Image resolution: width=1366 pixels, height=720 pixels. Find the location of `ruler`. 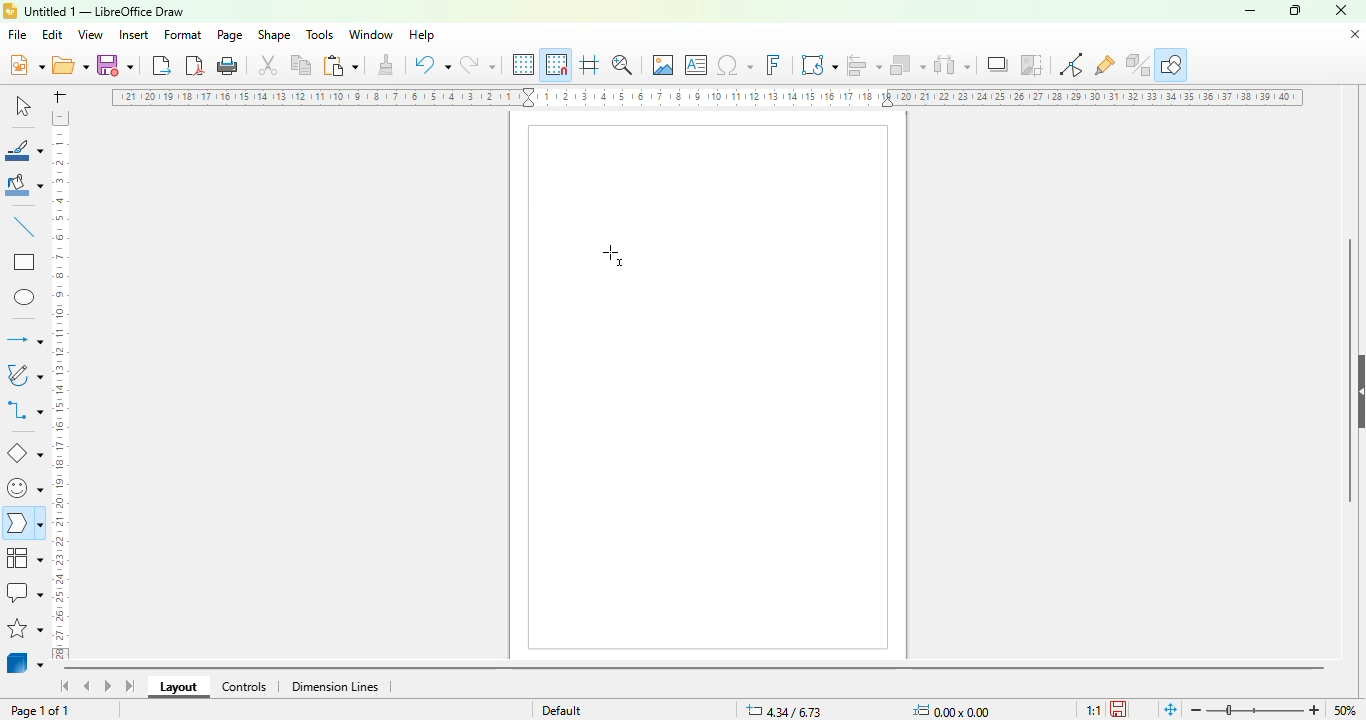

ruler is located at coordinates (707, 97).